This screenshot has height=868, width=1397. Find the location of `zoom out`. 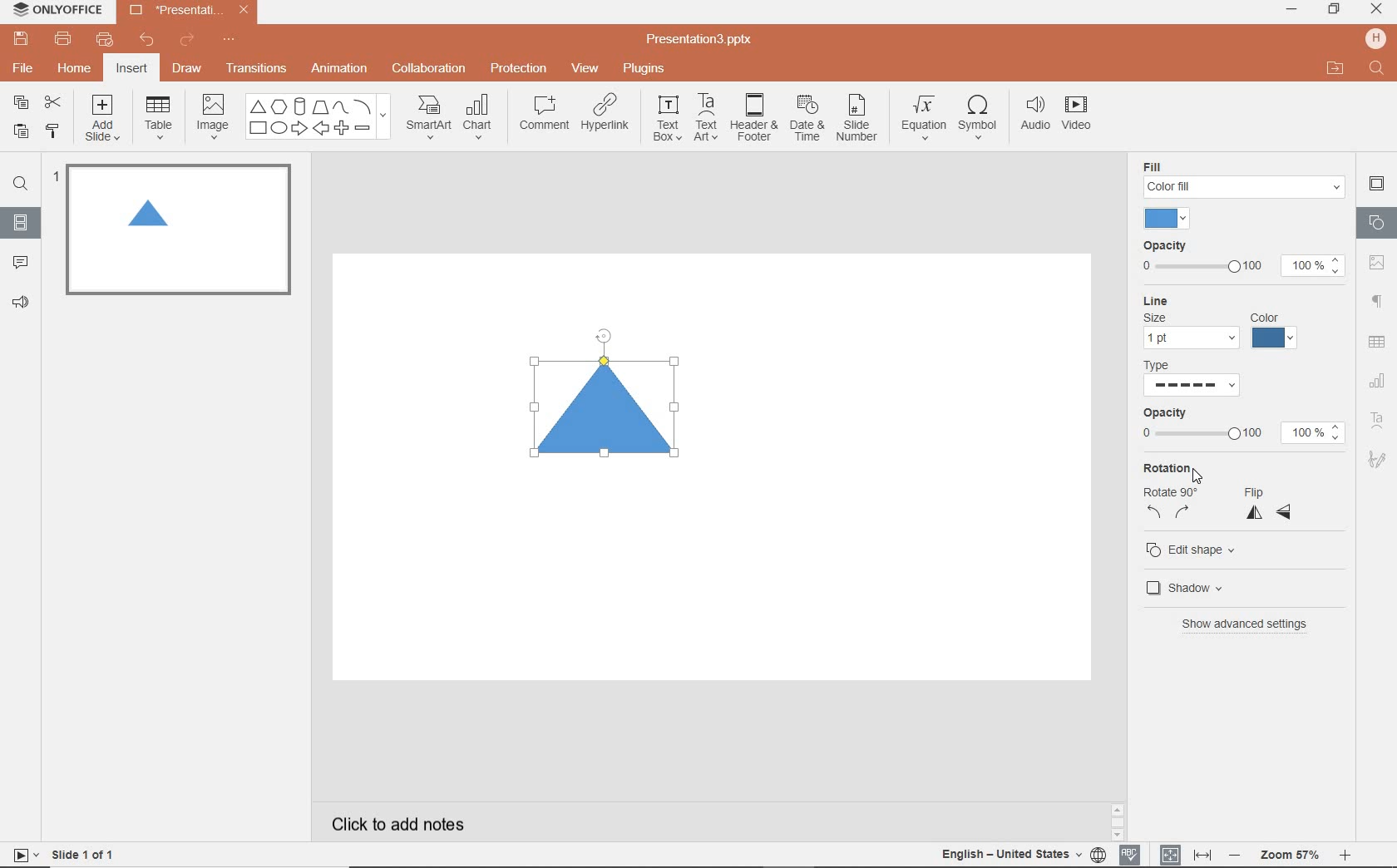

zoom out is located at coordinates (1237, 856).